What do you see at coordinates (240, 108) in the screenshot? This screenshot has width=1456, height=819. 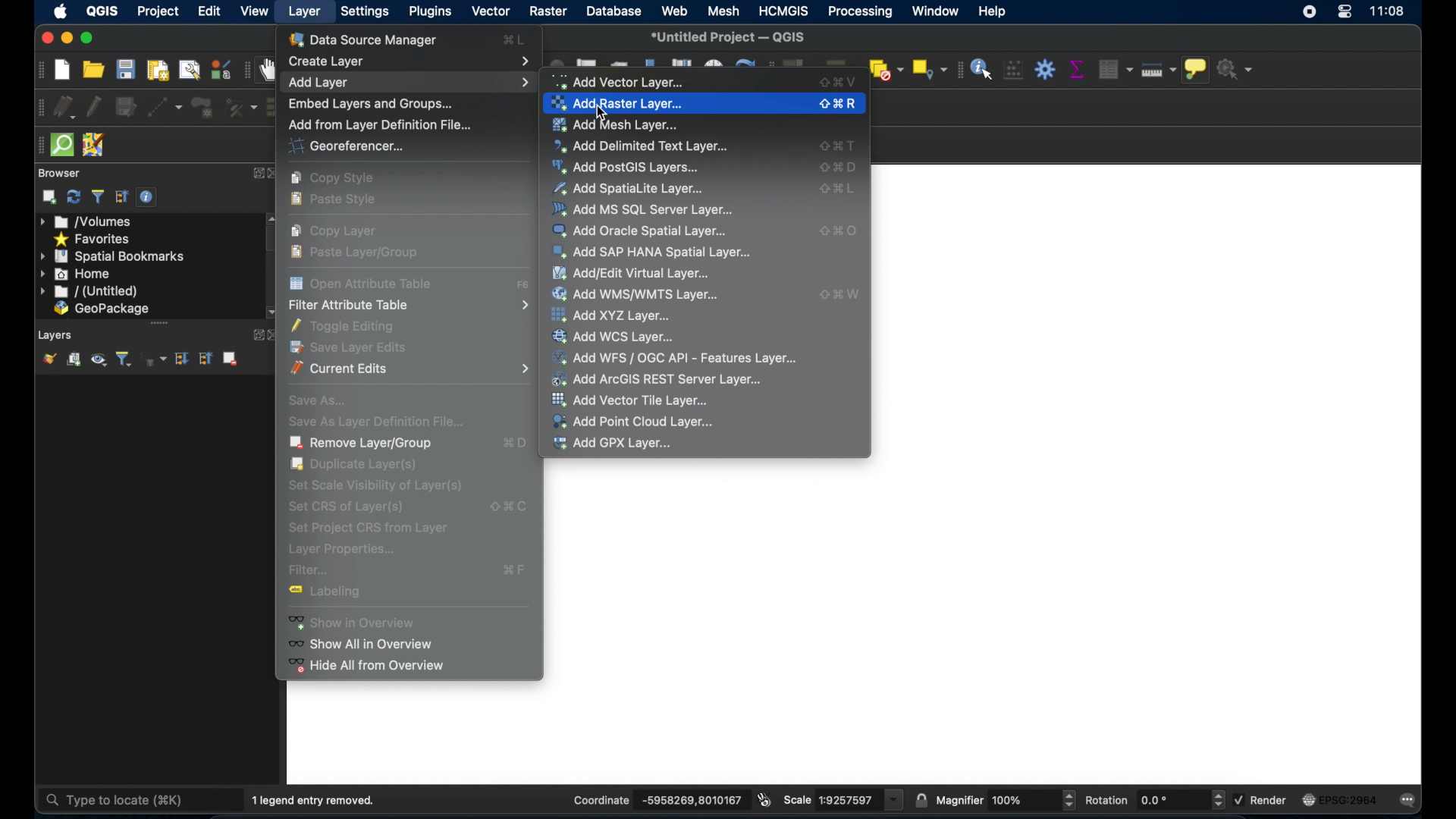 I see `modify attributes ` at bounding box center [240, 108].